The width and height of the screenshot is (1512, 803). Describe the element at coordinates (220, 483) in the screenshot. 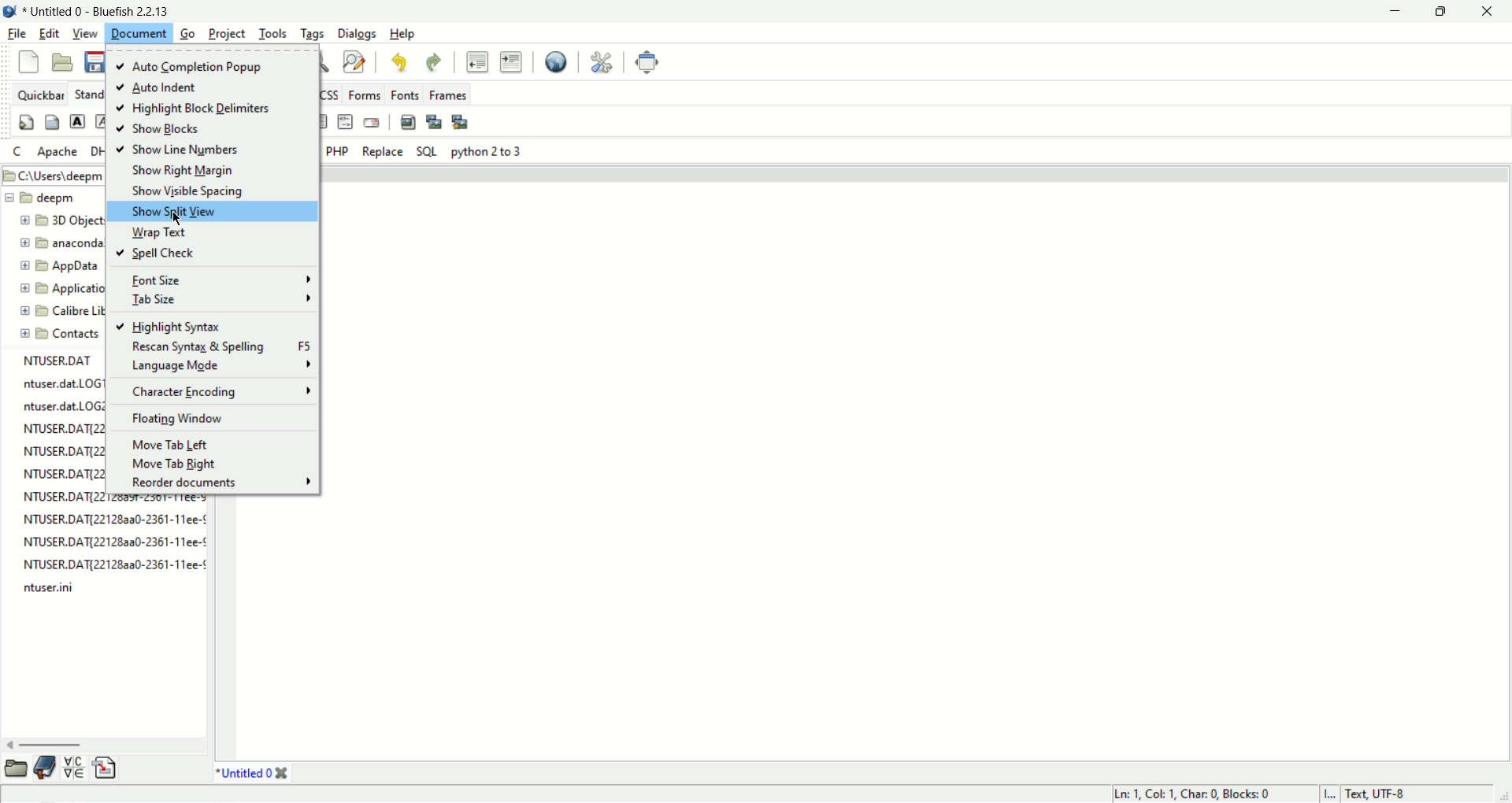

I see `reorder documents` at that location.